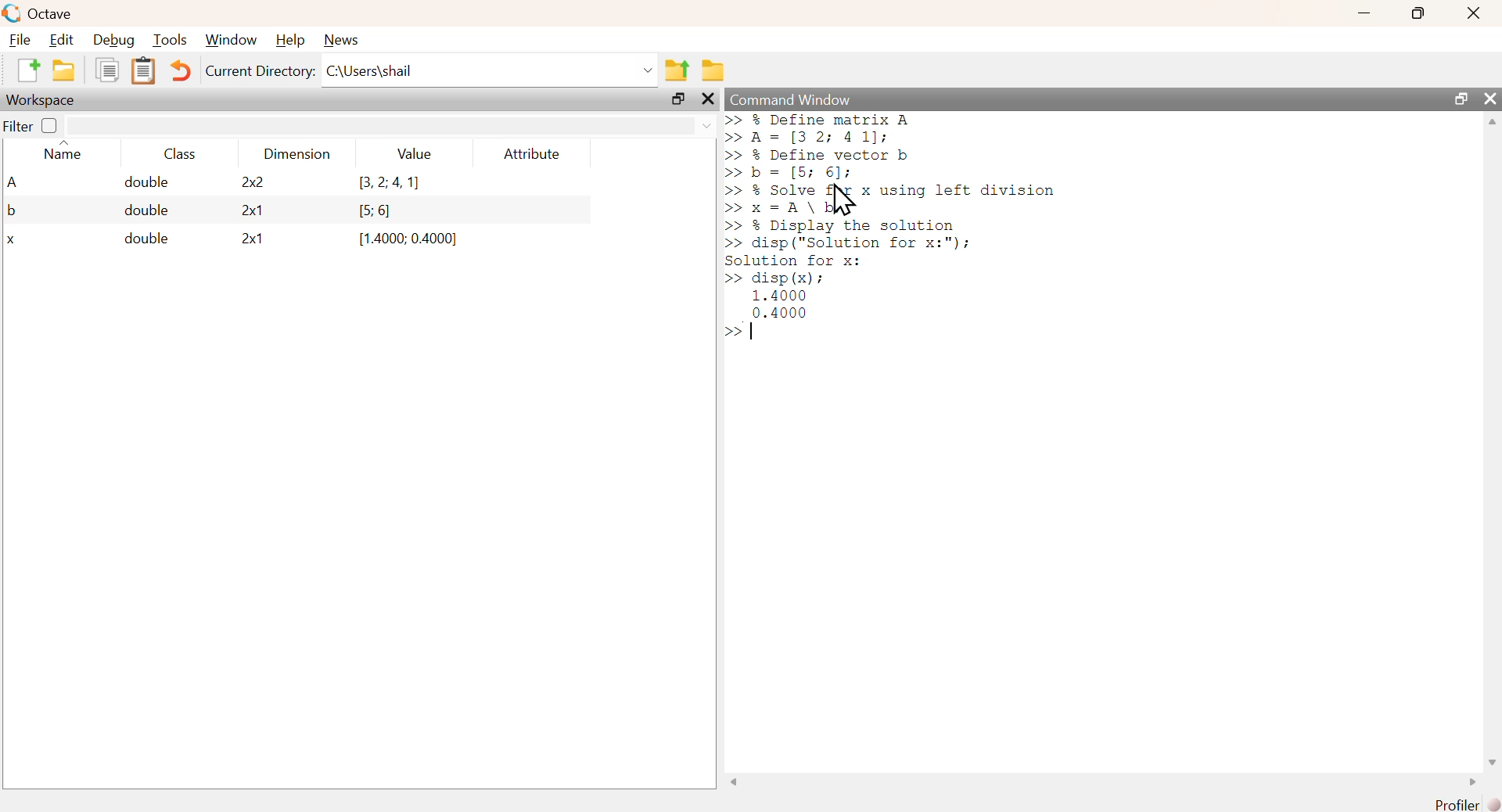 This screenshot has height=812, width=1502. I want to click on edit, so click(63, 41).